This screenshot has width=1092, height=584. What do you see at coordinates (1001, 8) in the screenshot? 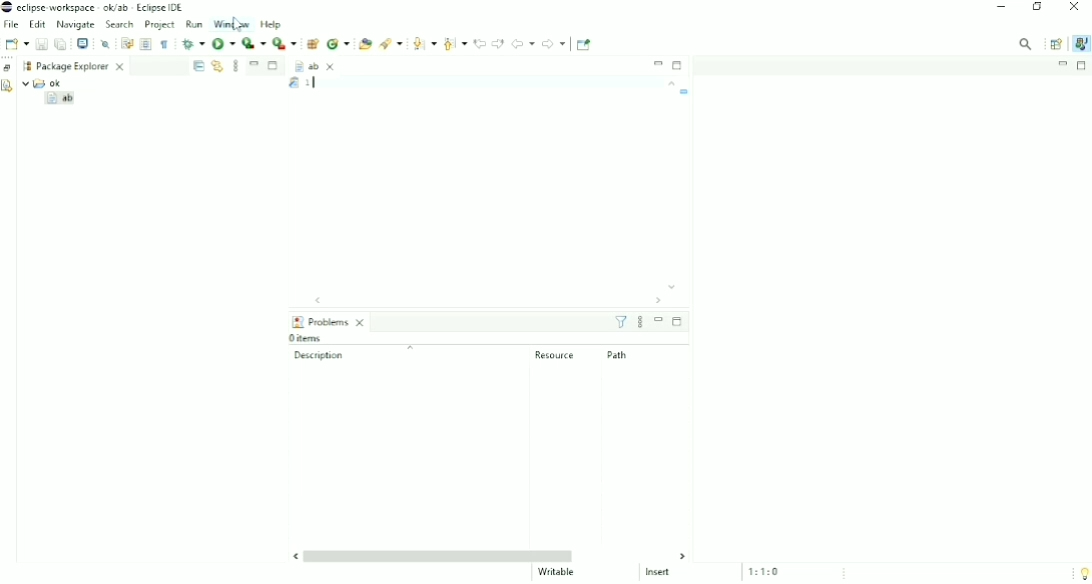
I see `Minimize` at bounding box center [1001, 8].